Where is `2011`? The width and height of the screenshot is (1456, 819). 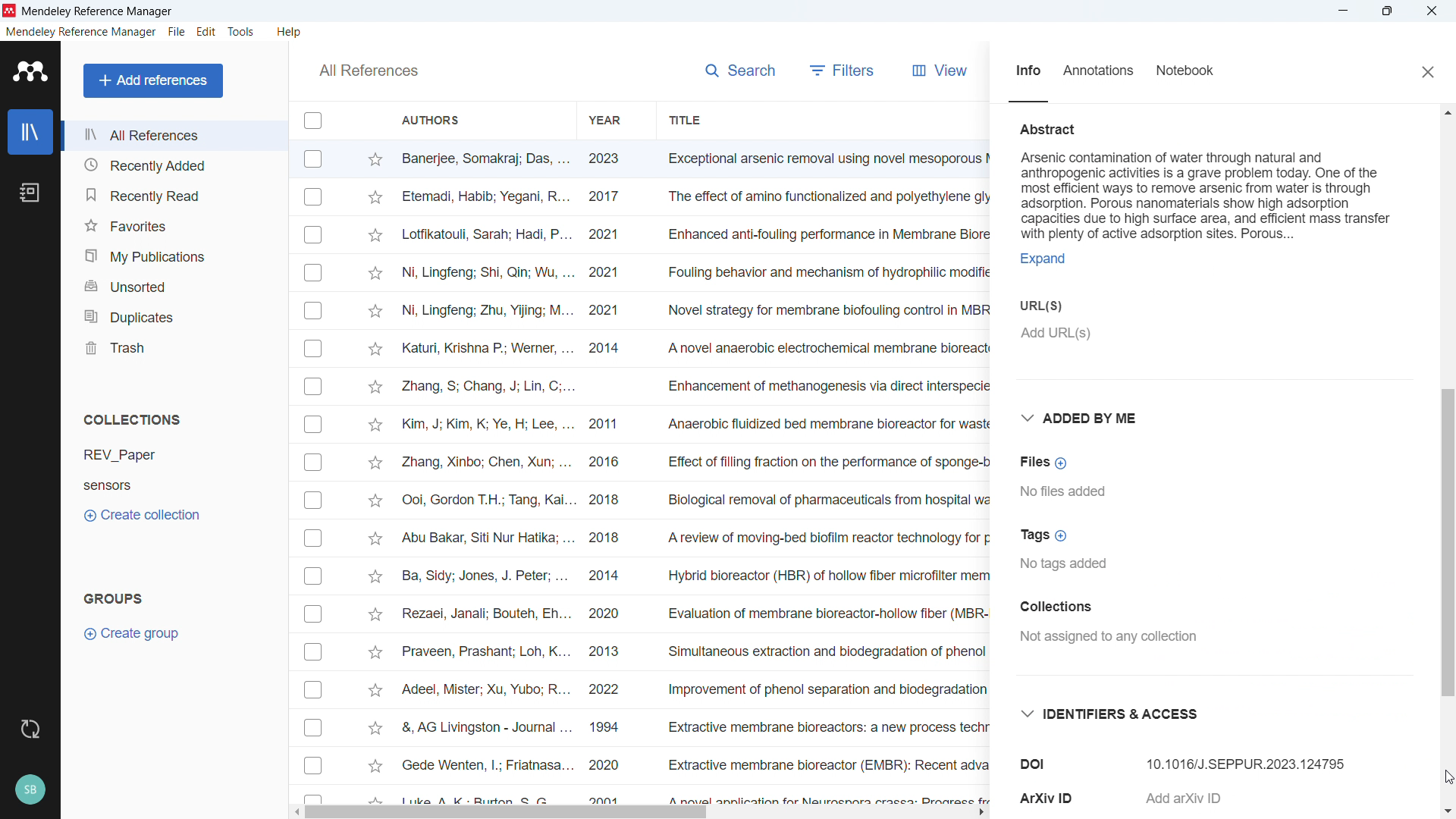
2011 is located at coordinates (608, 426).